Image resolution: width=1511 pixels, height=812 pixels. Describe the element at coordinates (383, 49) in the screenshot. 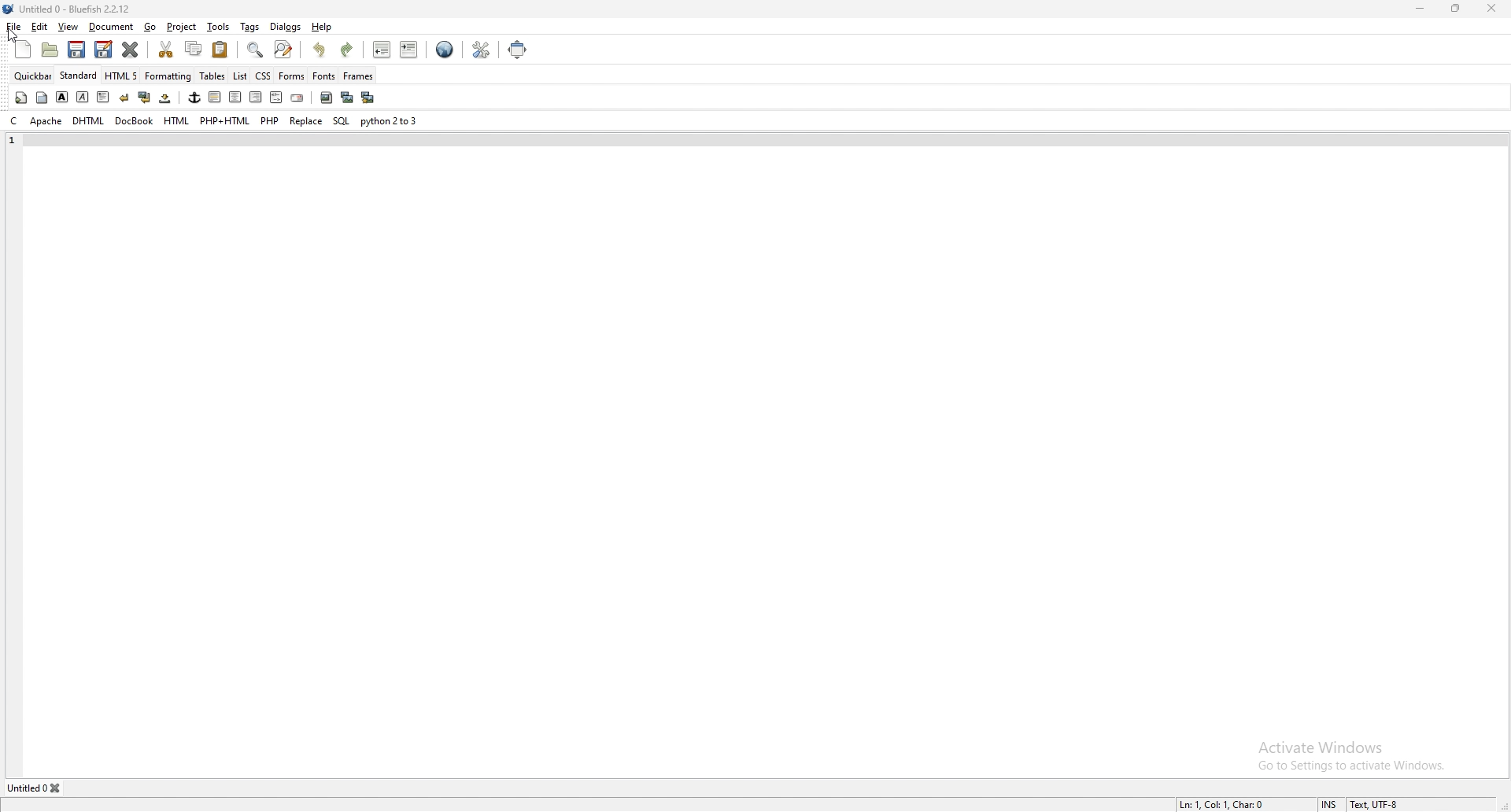

I see `unindent` at that location.